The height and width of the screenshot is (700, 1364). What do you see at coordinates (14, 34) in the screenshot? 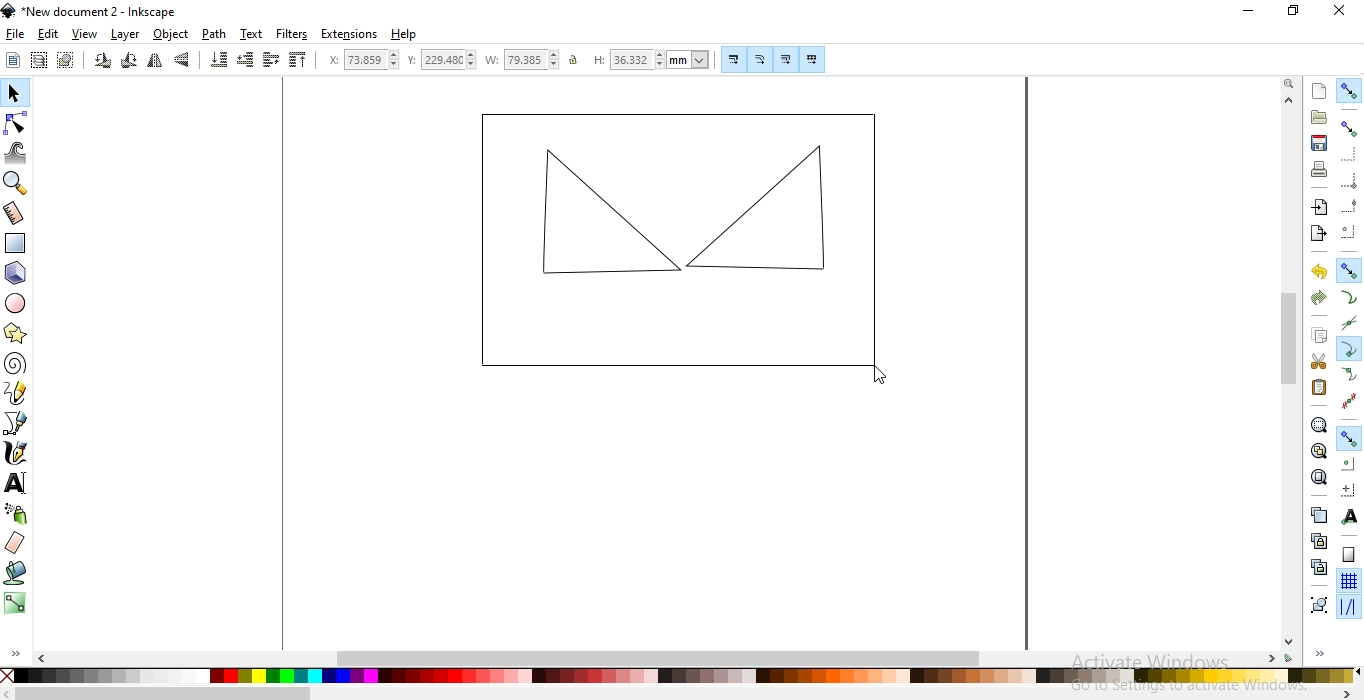
I see `file` at bounding box center [14, 34].